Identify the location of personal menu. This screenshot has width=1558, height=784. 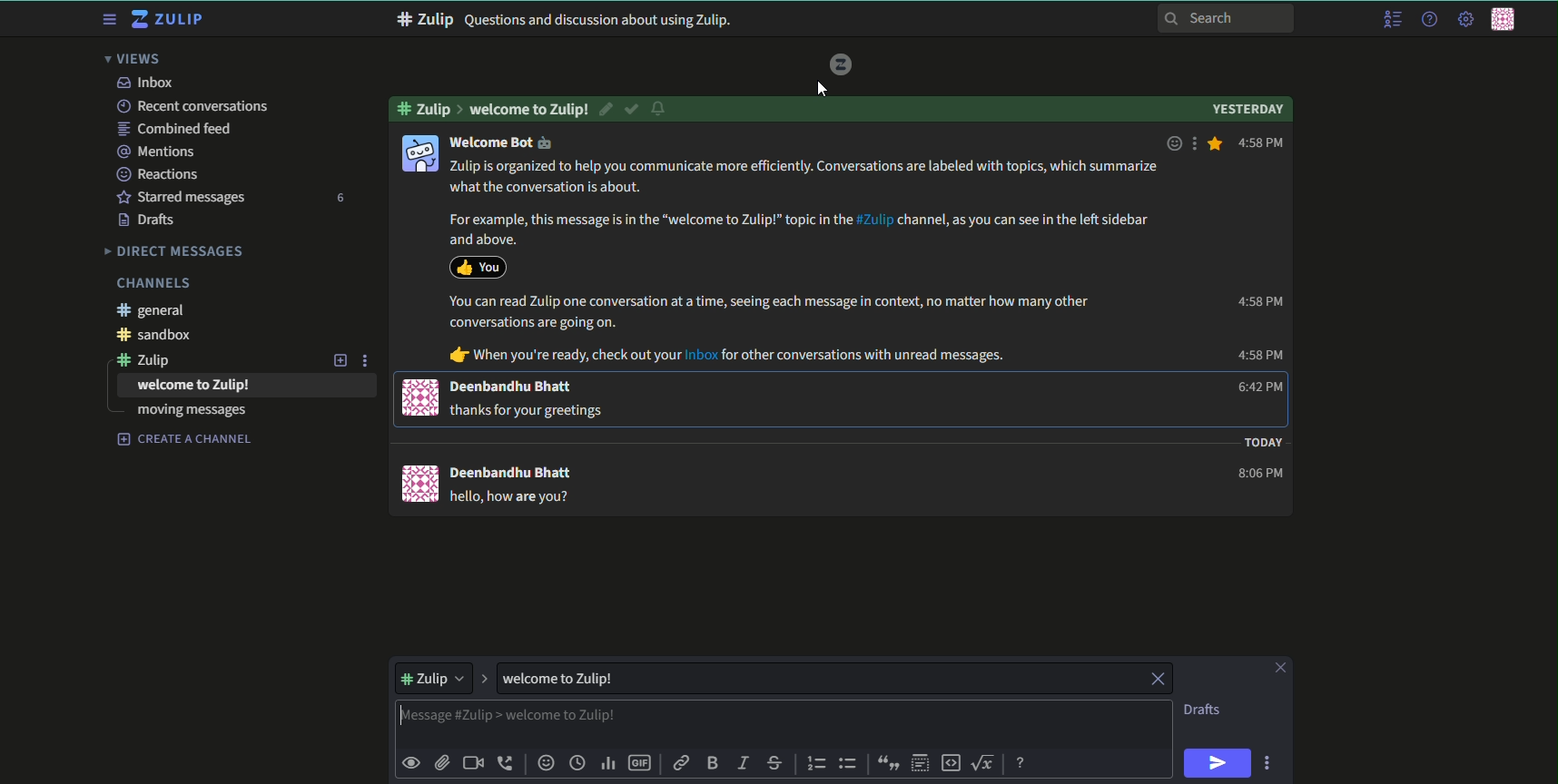
(1506, 21).